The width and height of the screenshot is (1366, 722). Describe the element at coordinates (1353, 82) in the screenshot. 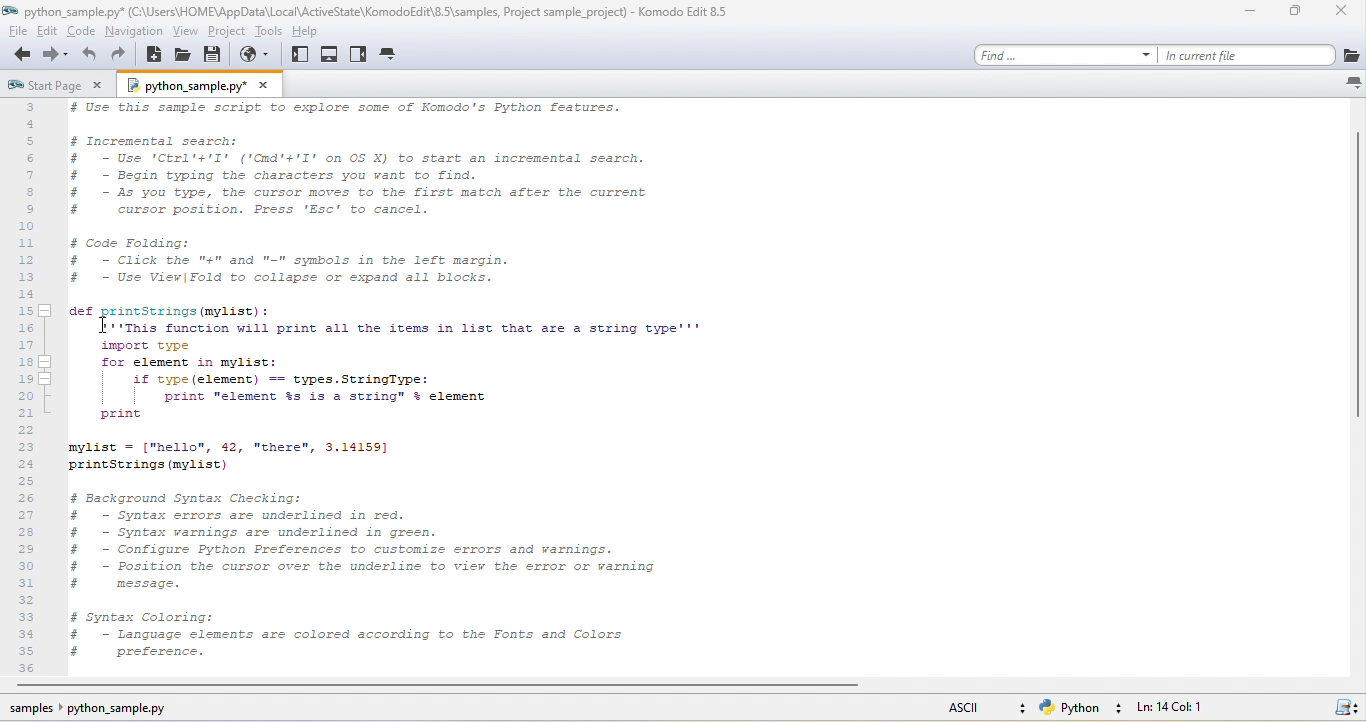

I see `icon` at that location.